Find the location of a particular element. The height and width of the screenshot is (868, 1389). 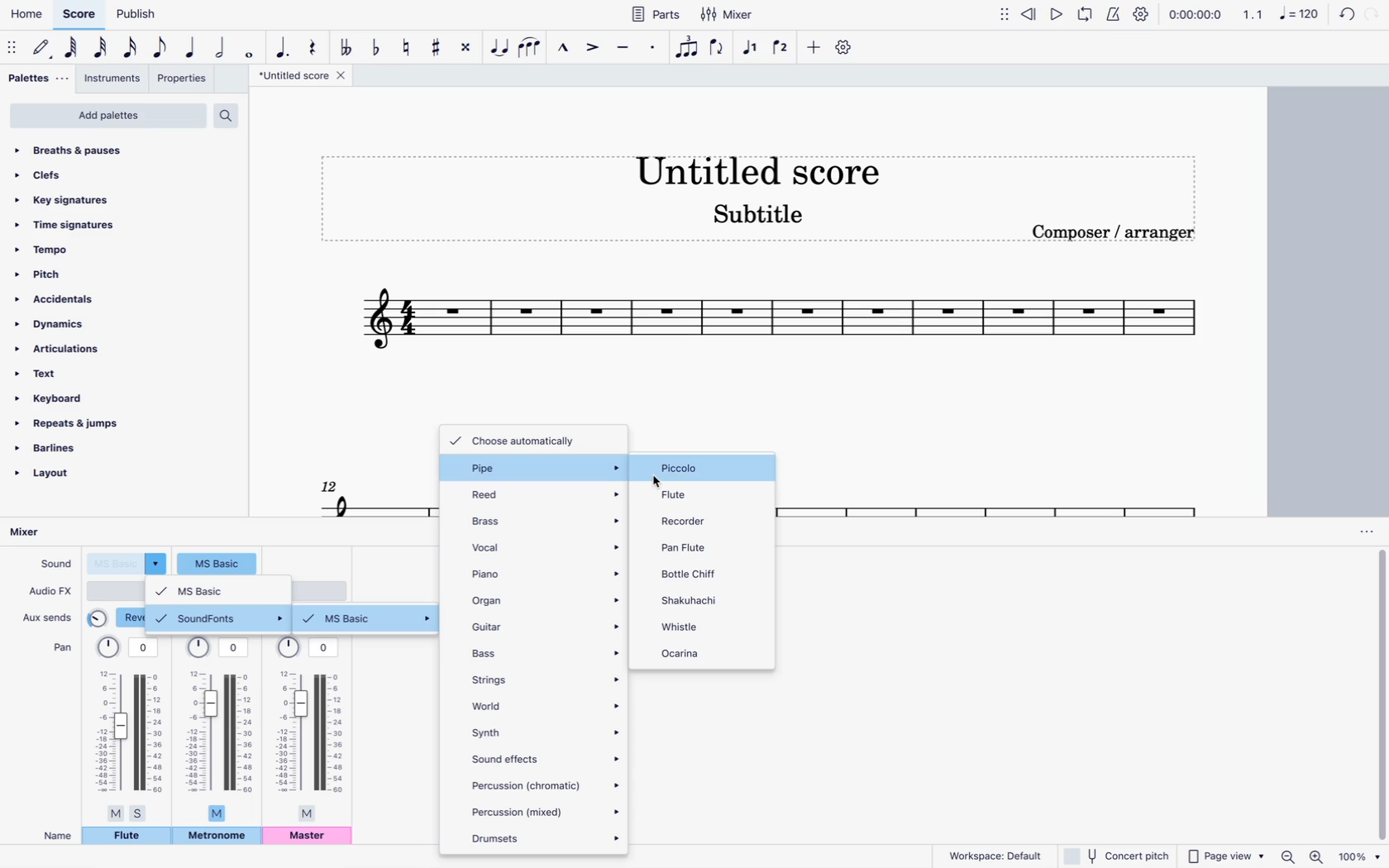

toggle double sharp is located at coordinates (469, 46).